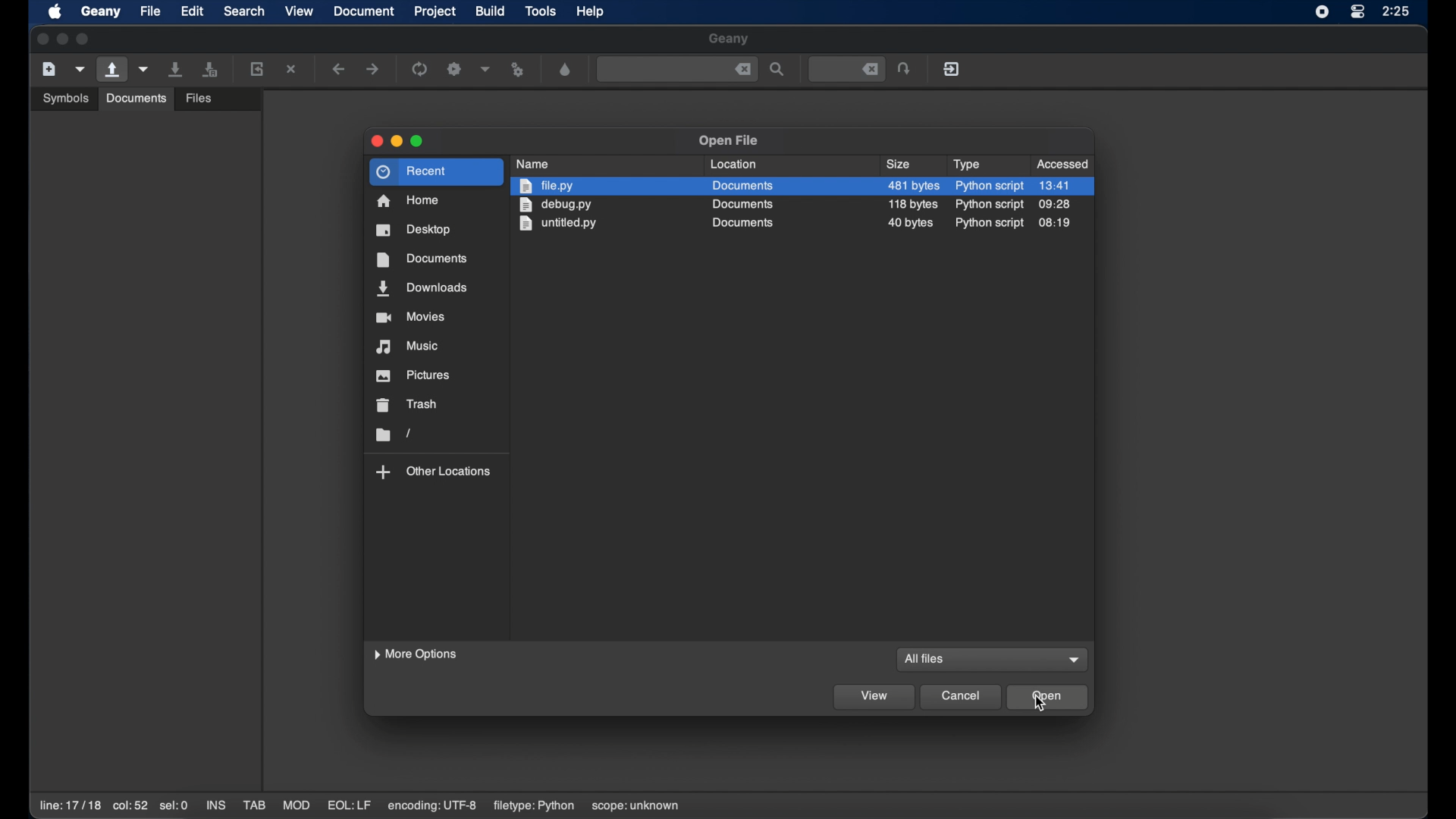 The width and height of the screenshot is (1456, 819). I want to click on choose more build actions, so click(486, 69).